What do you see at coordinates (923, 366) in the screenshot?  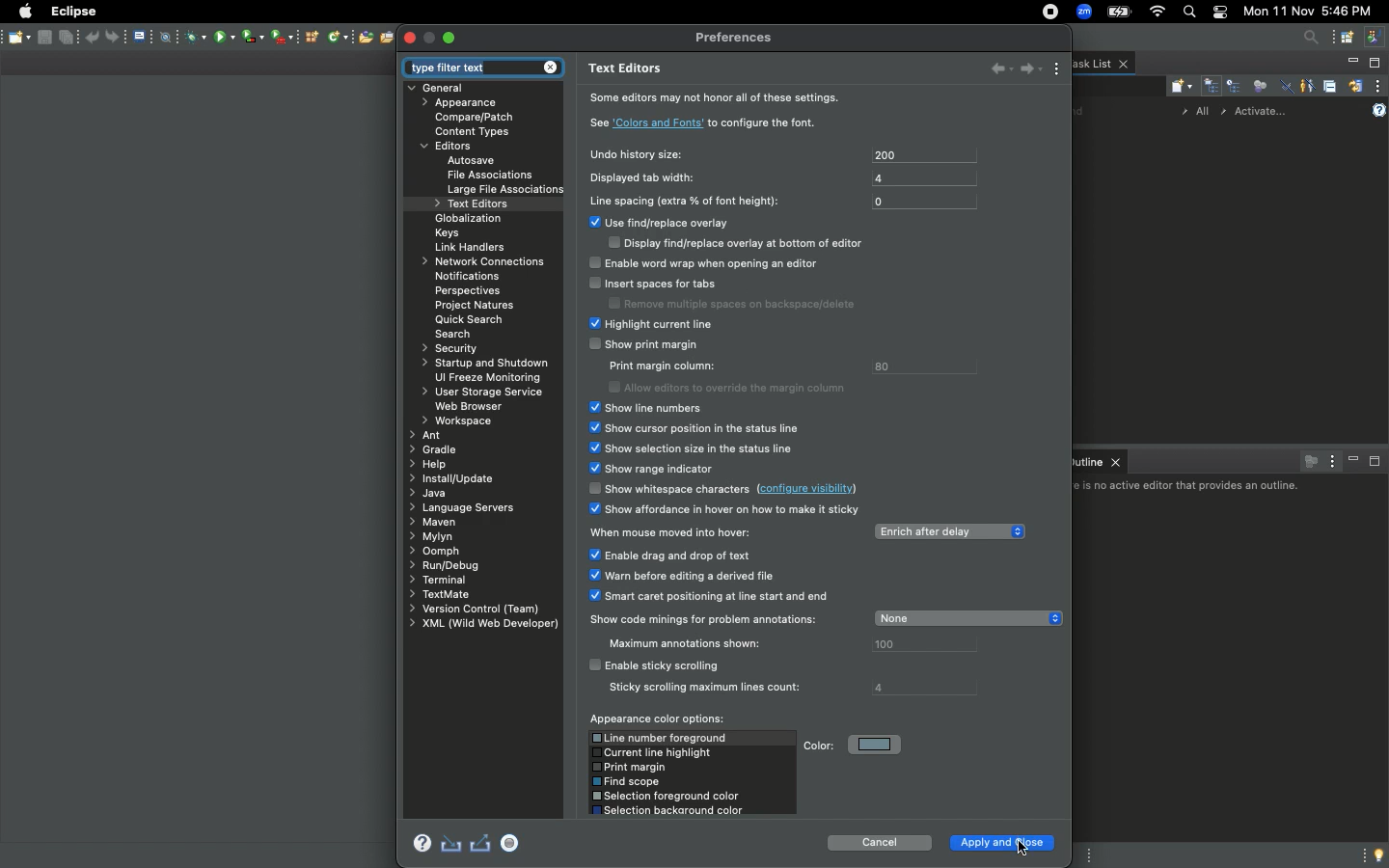 I see `80` at bounding box center [923, 366].